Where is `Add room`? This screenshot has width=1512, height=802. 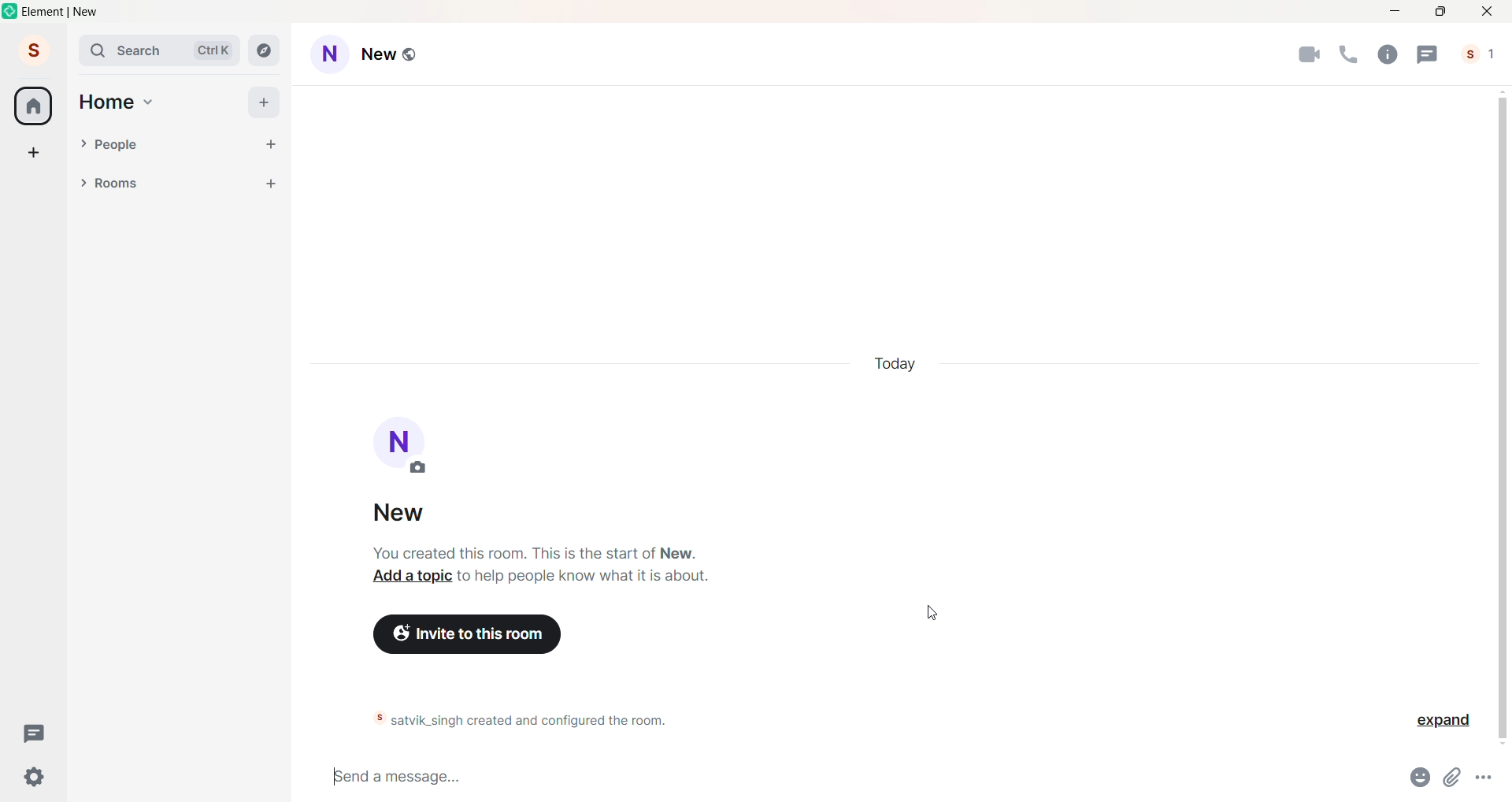 Add room is located at coordinates (276, 181).